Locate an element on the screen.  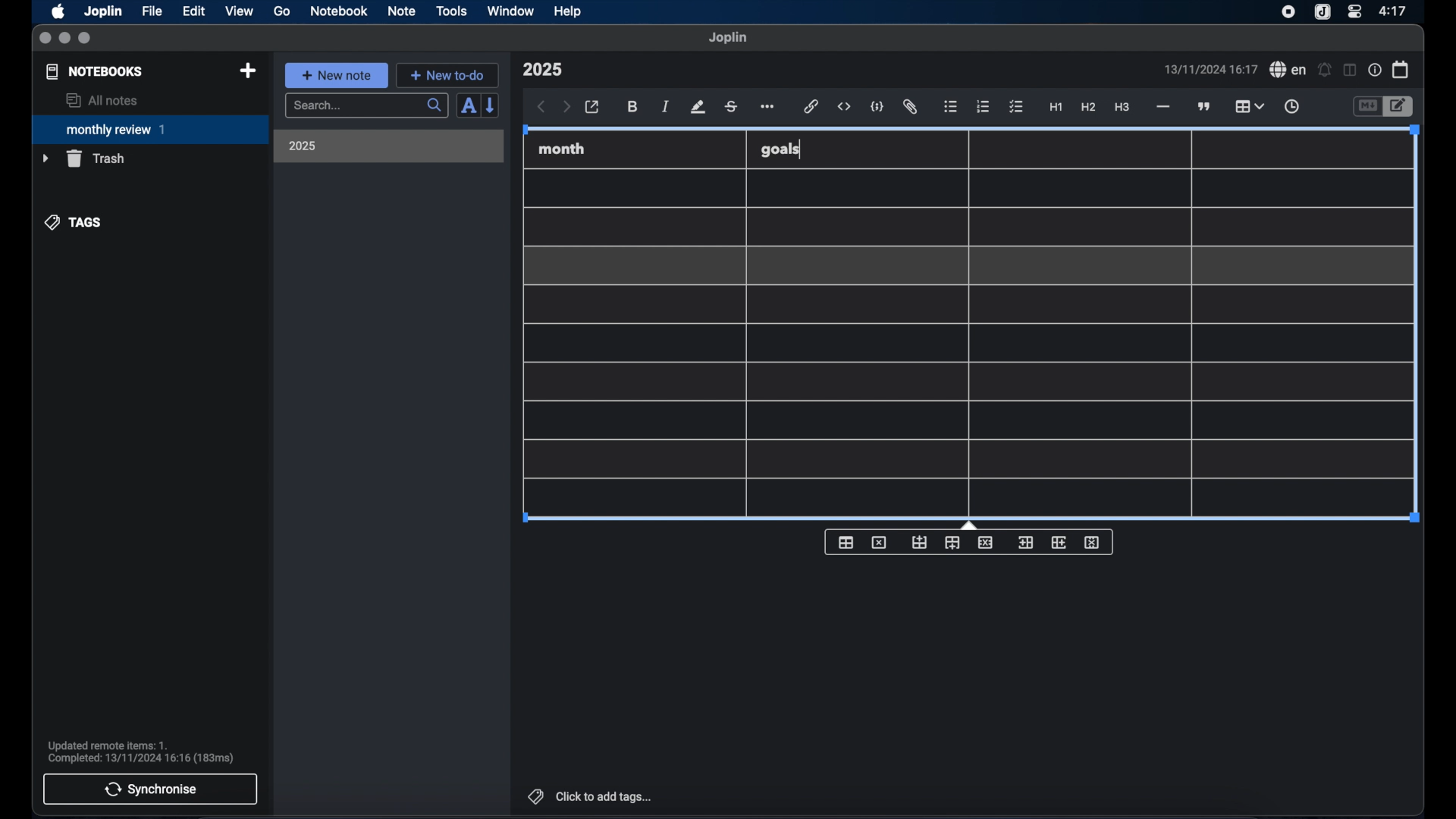
maximize is located at coordinates (86, 39).